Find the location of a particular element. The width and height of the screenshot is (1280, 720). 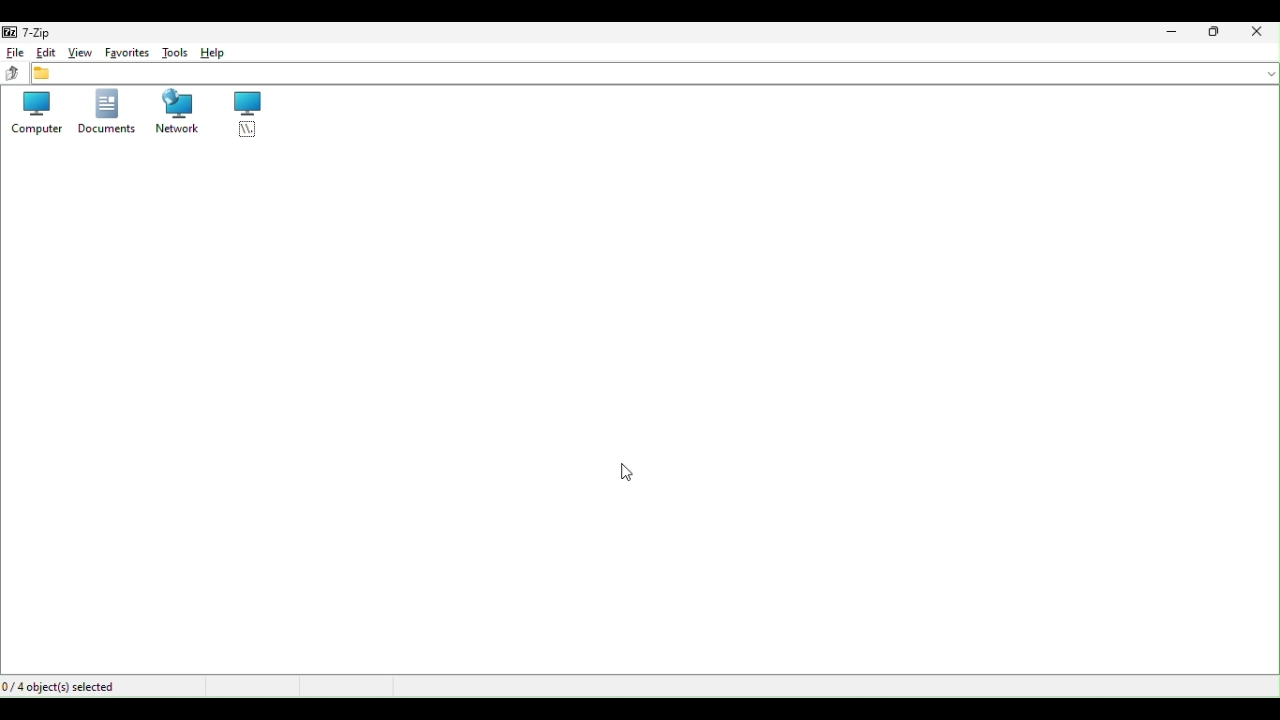

Edit is located at coordinates (45, 55).